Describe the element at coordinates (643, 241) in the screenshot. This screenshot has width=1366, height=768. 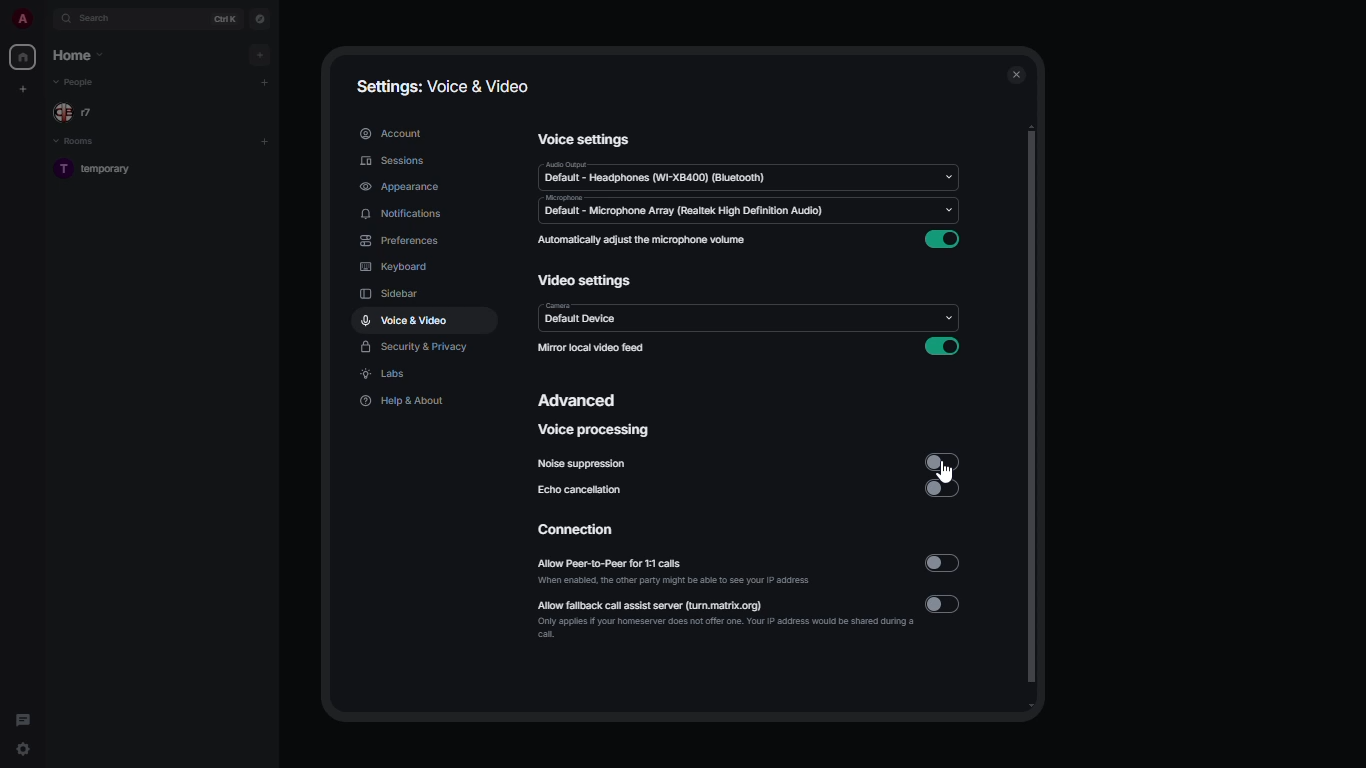
I see `automatically adjust the microphone volume` at that location.